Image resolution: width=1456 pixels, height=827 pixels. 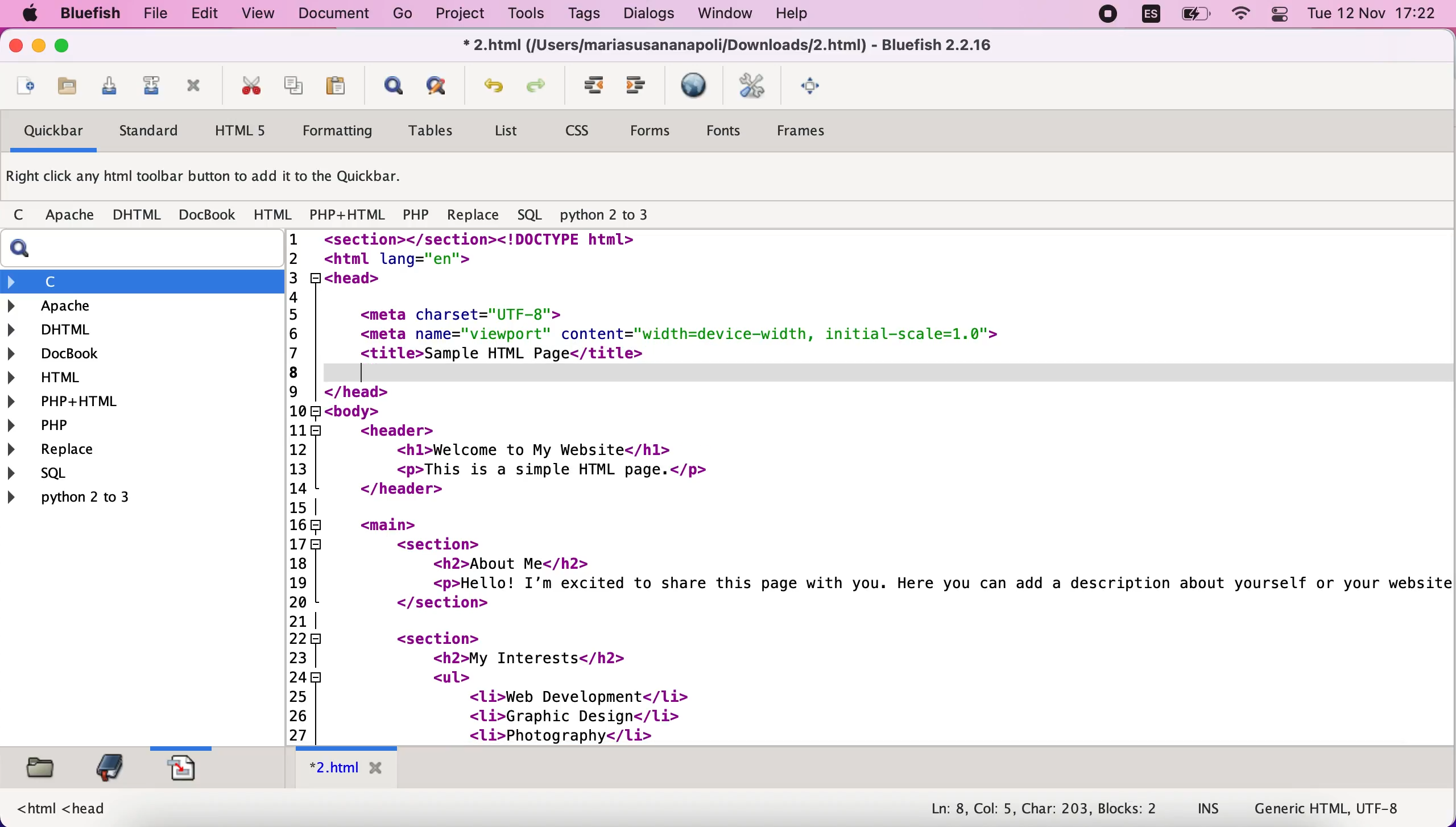 I want to click on go, so click(x=399, y=15).